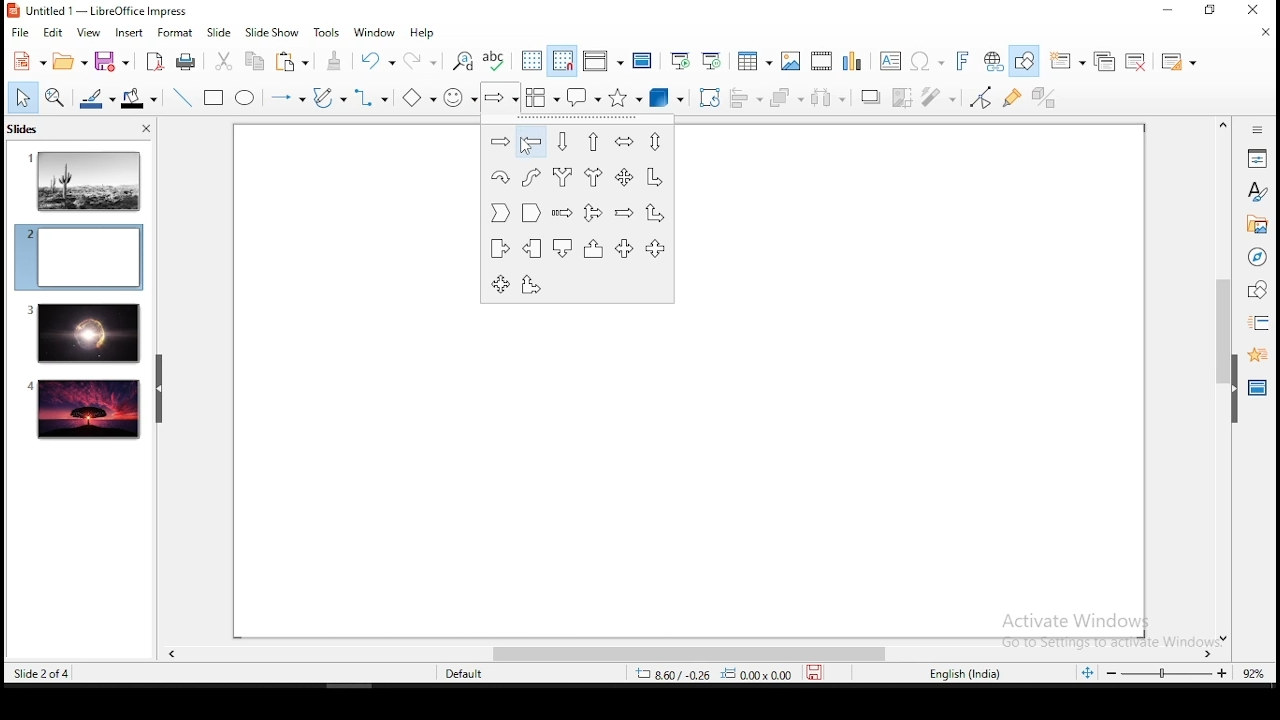  What do you see at coordinates (564, 62) in the screenshot?
I see `snap to grid` at bounding box center [564, 62].